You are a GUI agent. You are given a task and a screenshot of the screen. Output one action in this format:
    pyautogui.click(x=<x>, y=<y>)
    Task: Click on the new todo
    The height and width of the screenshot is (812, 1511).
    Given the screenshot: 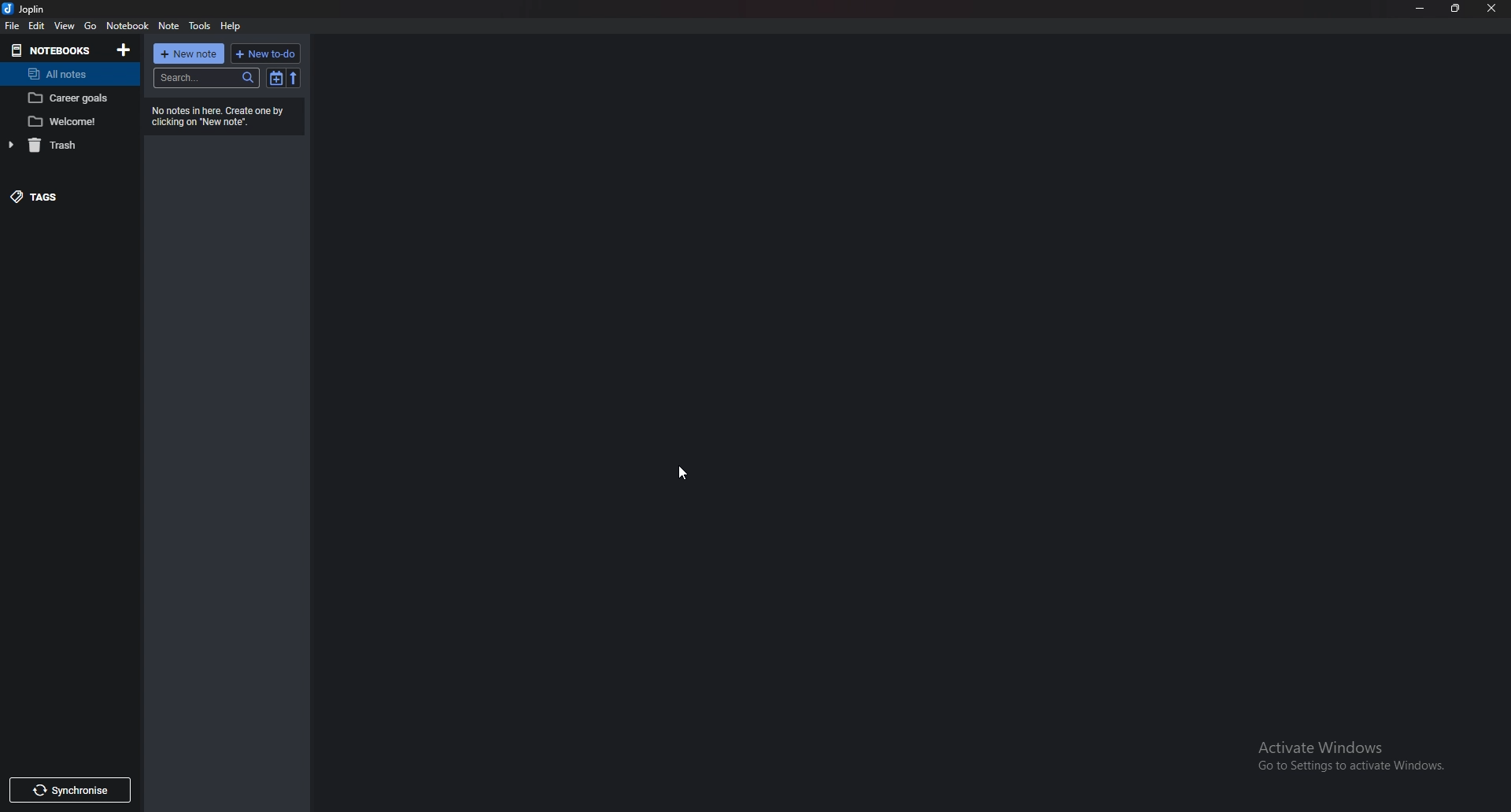 What is the action you would take?
    pyautogui.click(x=266, y=54)
    